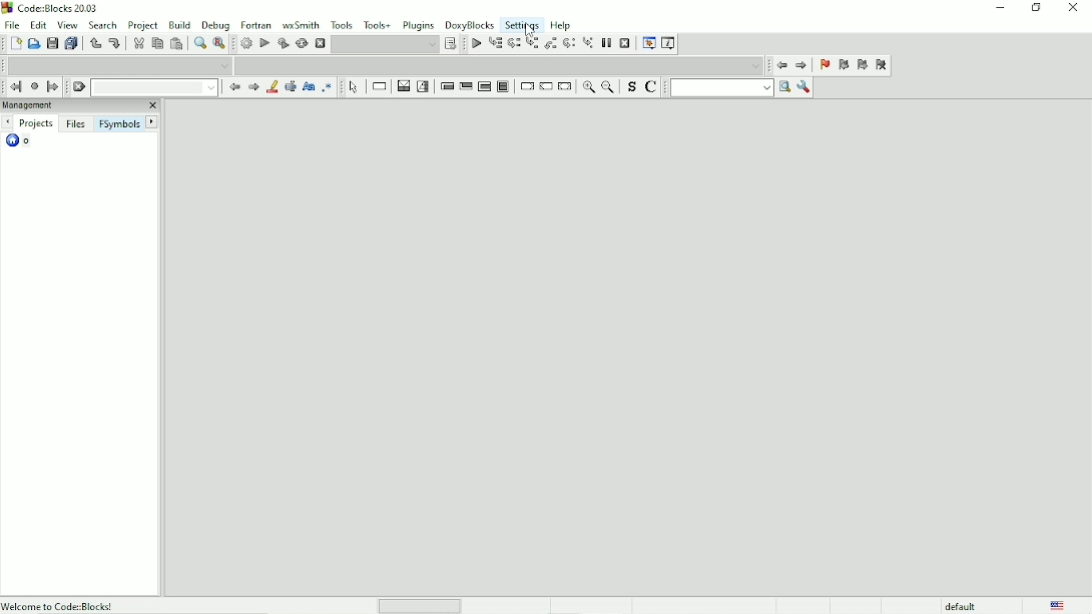 This screenshot has height=614, width=1092. I want to click on Toggle bookmark, so click(823, 65).